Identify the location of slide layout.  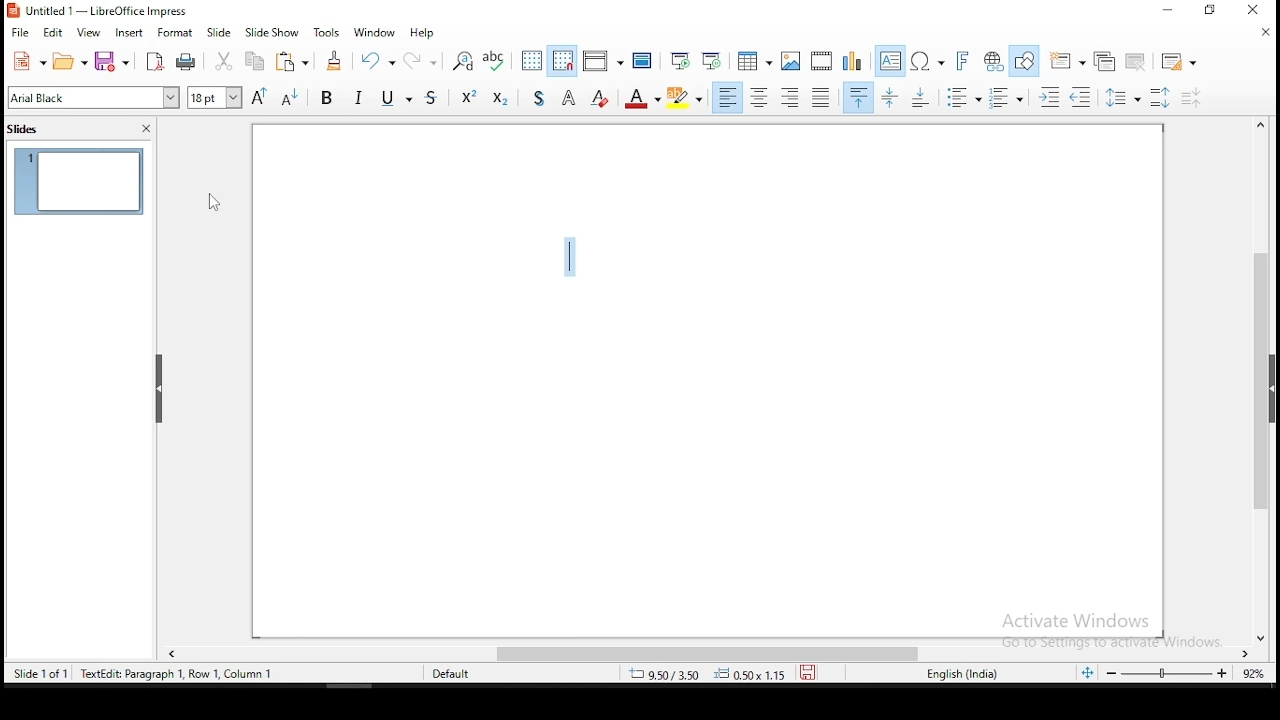
(1181, 62).